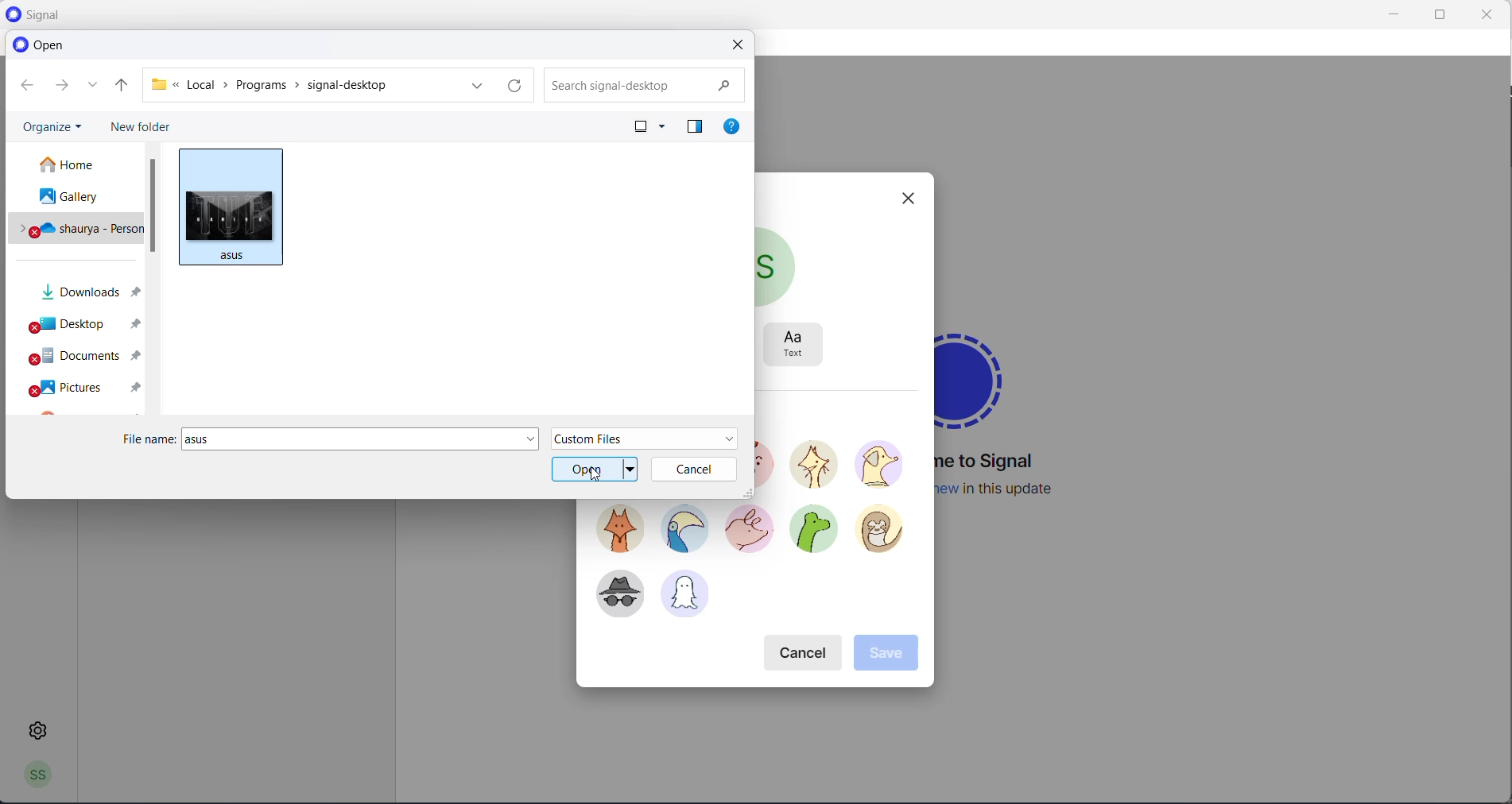 Image resolution: width=1512 pixels, height=804 pixels. What do you see at coordinates (740, 44) in the screenshot?
I see `close` at bounding box center [740, 44].